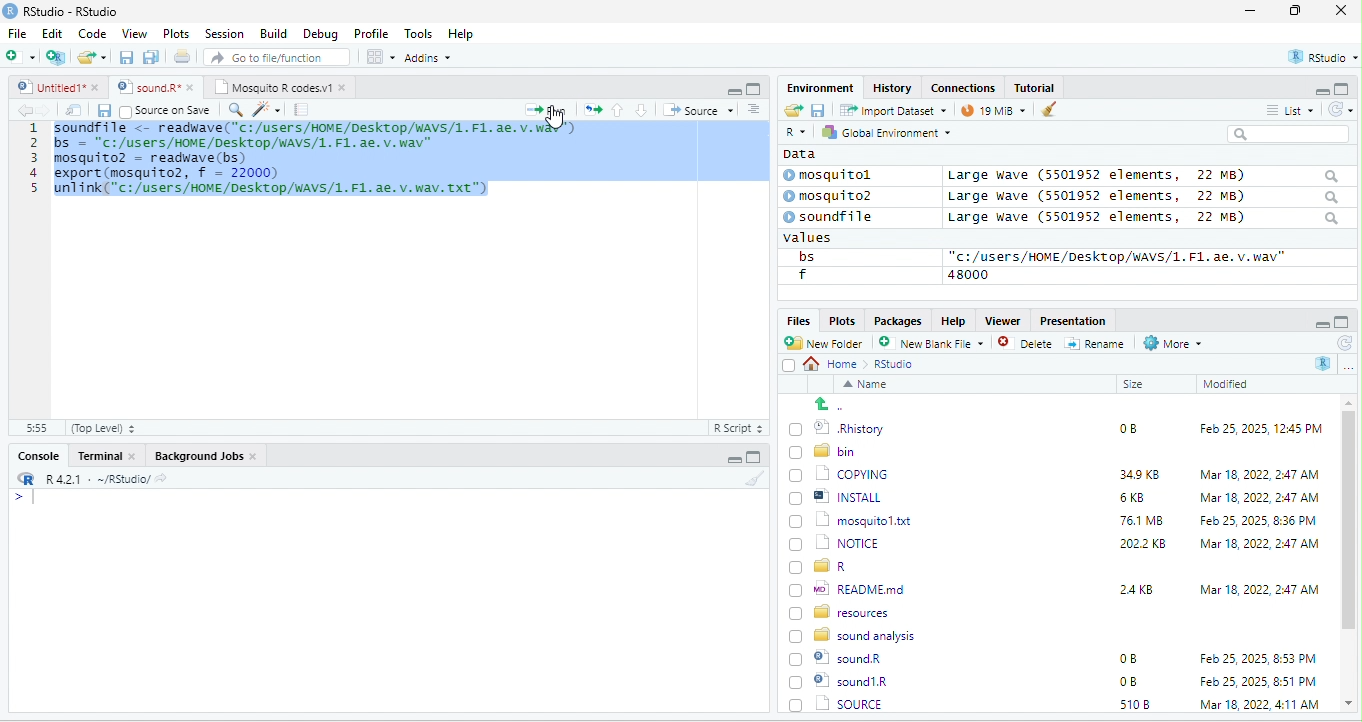 The height and width of the screenshot is (722, 1362). Describe the element at coordinates (993, 112) in the screenshot. I see `9 mb` at that location.